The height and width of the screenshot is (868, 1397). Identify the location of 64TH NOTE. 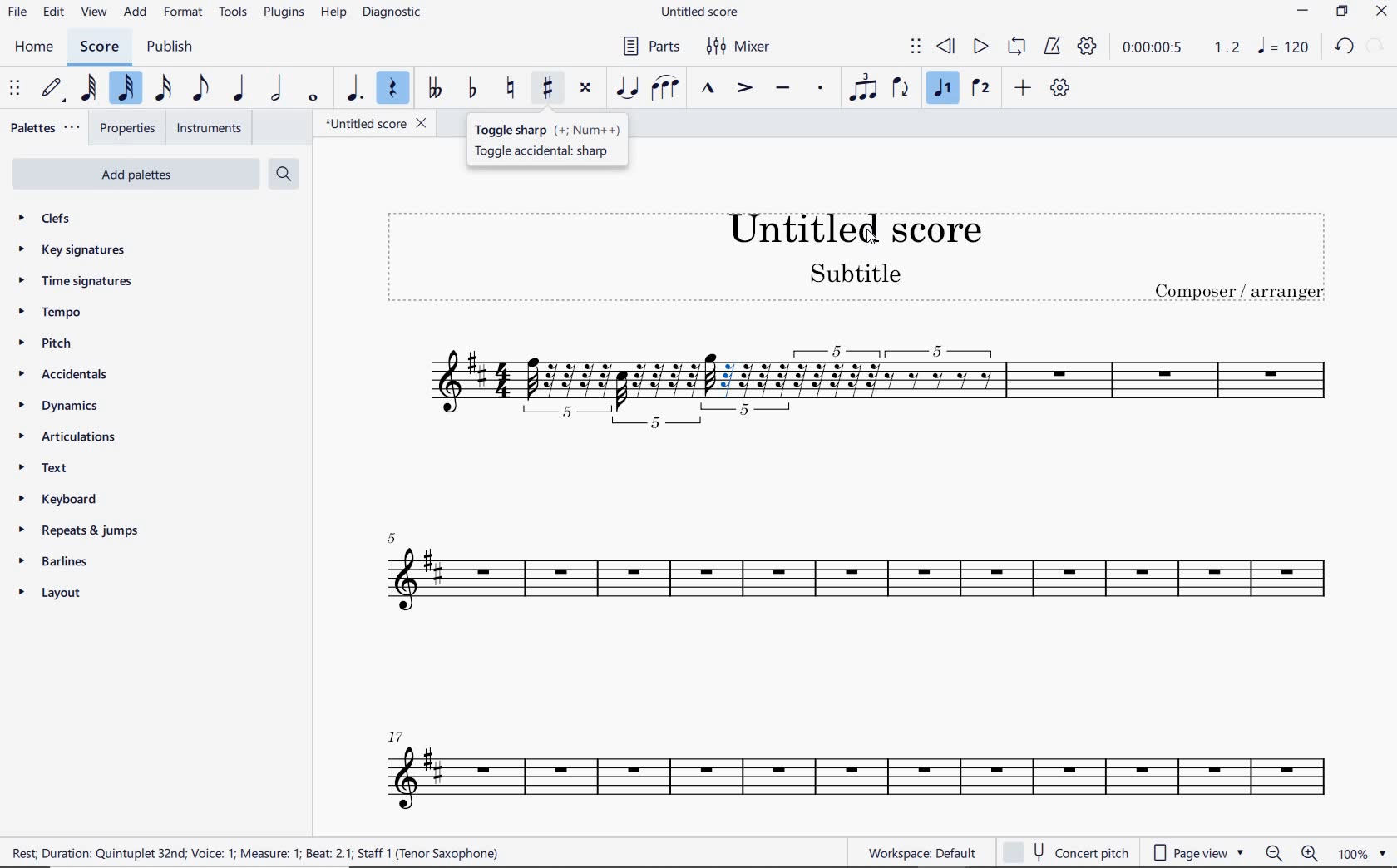
(89, 87).